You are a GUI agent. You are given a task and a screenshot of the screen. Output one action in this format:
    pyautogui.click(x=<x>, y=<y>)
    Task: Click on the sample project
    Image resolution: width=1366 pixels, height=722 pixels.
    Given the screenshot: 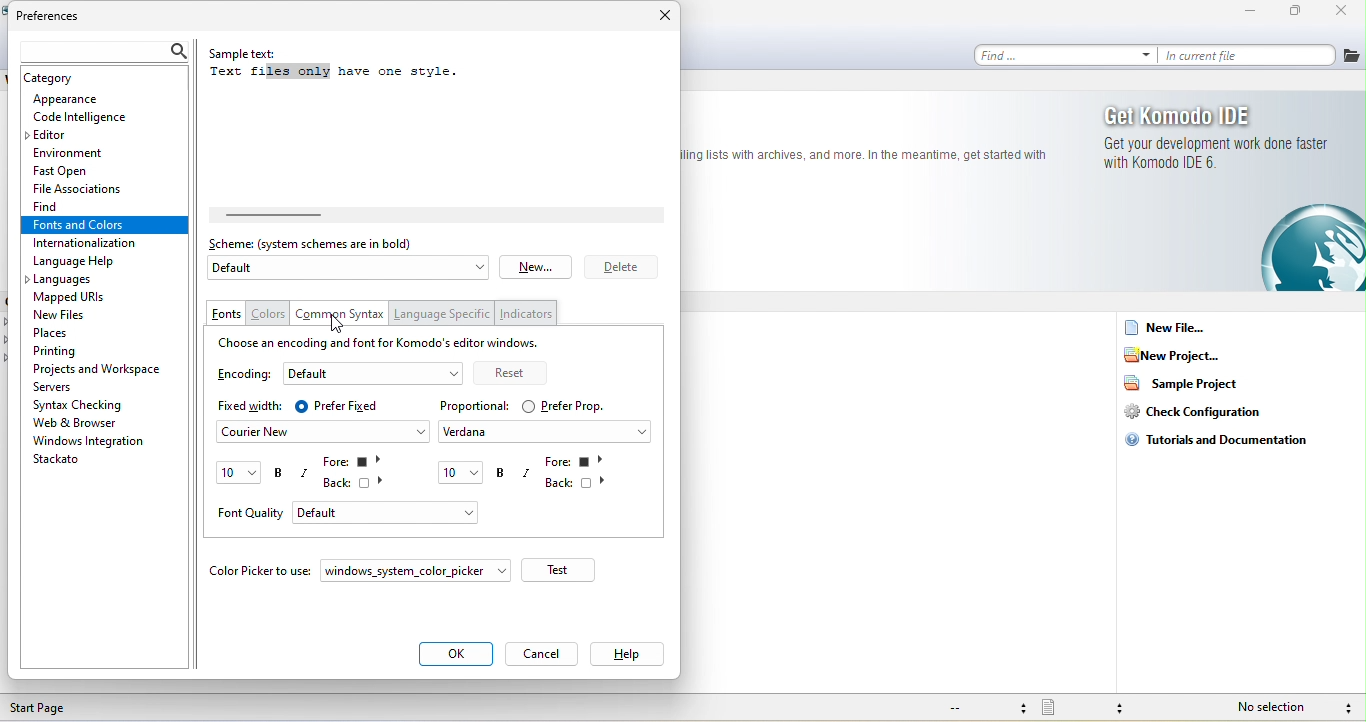 What is the action you would take?
    pyautogui.click(x=1190, y=387)
    